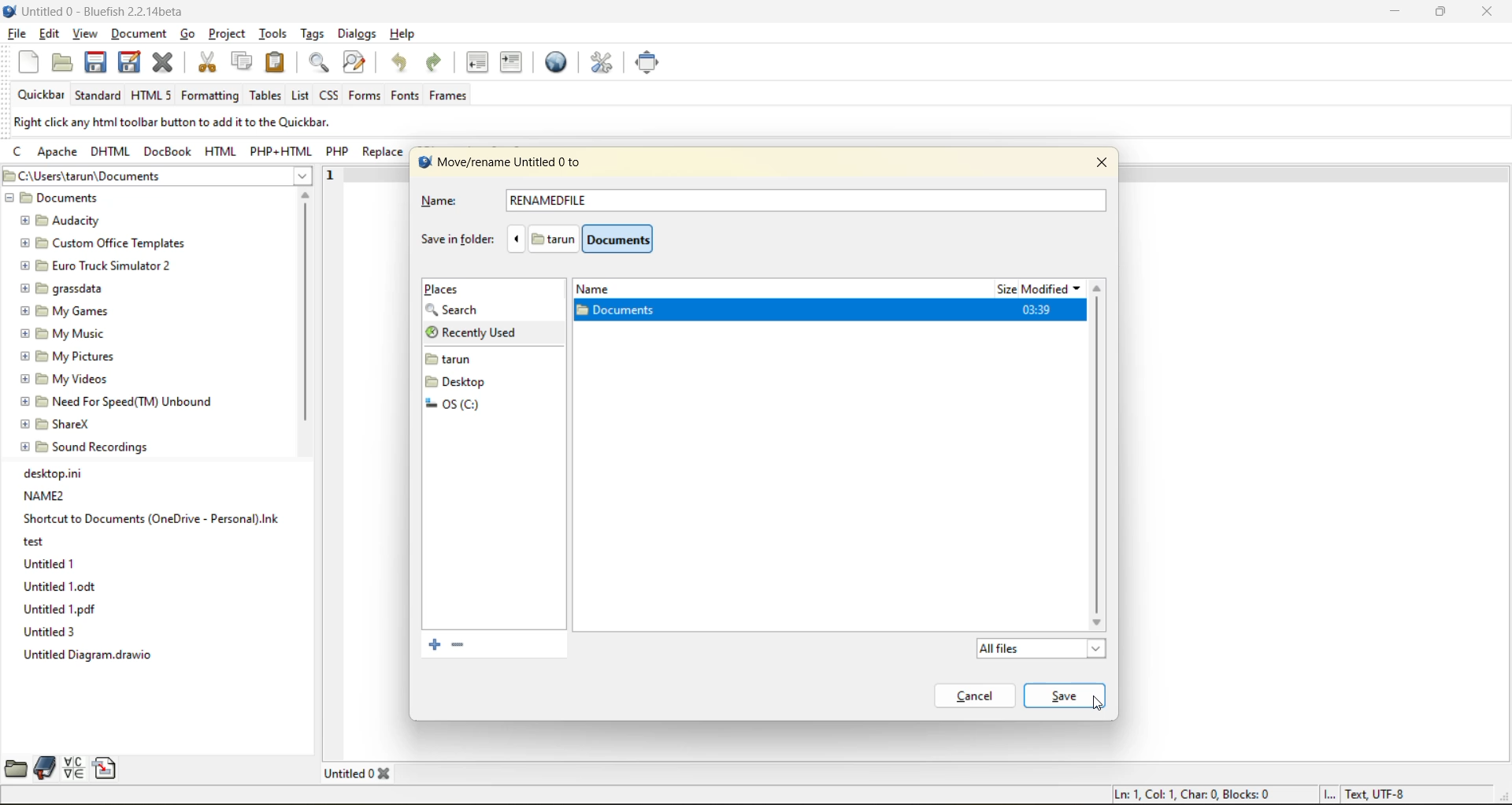  What do you see at coordinates (1445, 13) in the screenshot?
I see `maximize` at bounding box center [1445, 13].